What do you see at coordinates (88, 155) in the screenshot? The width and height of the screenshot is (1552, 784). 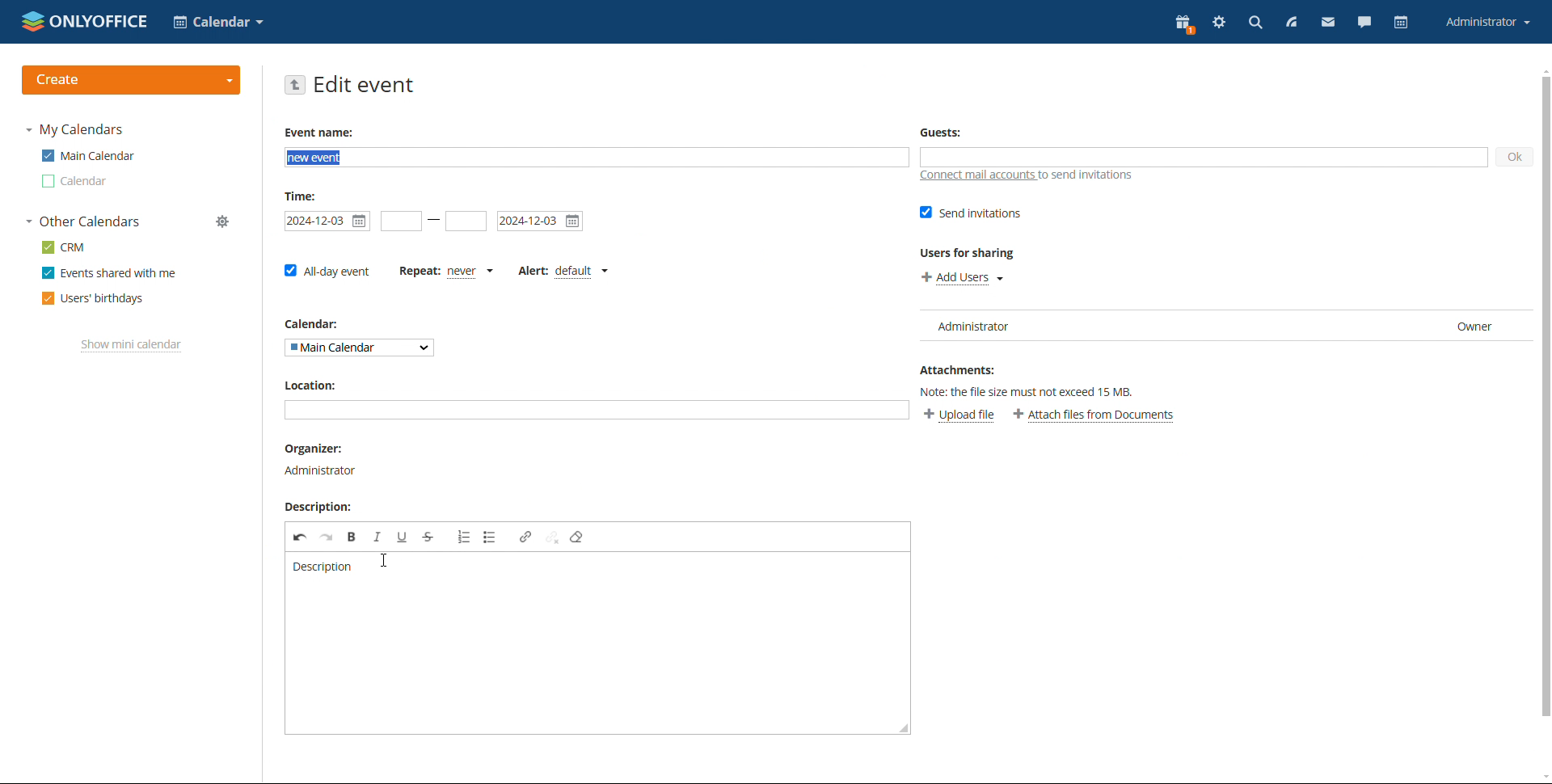 I see `main calendar` at bounding box center [88, 155].